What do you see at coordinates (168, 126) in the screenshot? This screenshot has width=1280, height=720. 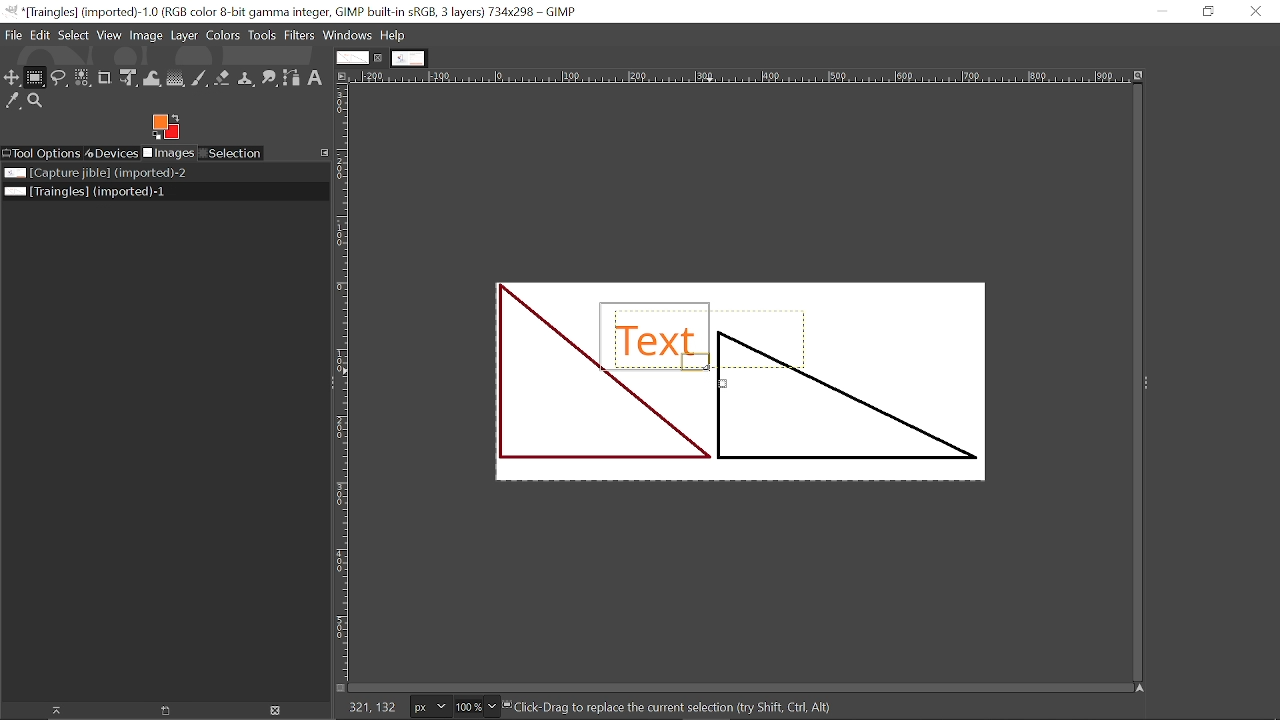 I see `Foreground color` at bounding box center [168, 126].